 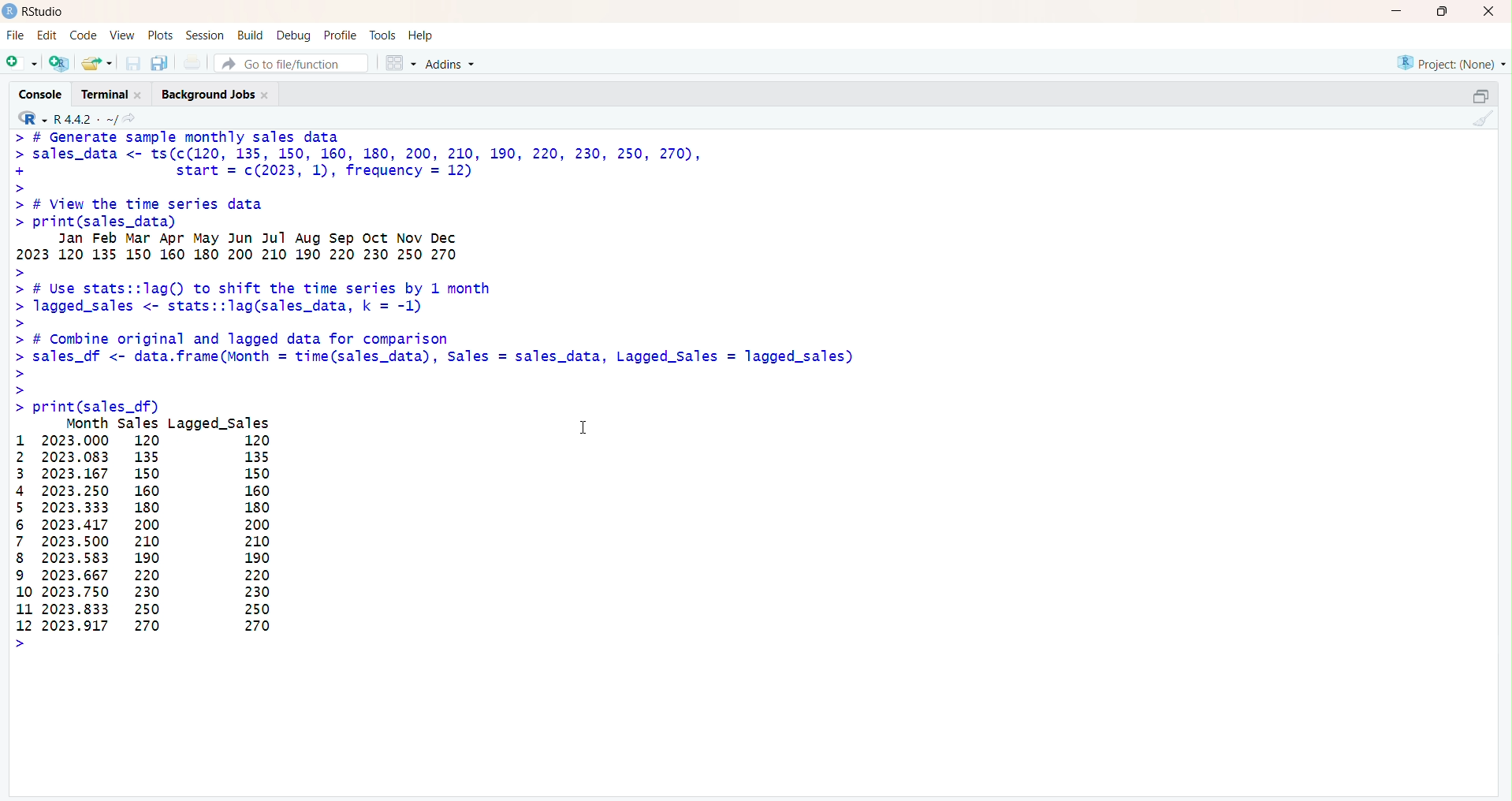 I want to click on workspace panes, so click(x=400, y=62).